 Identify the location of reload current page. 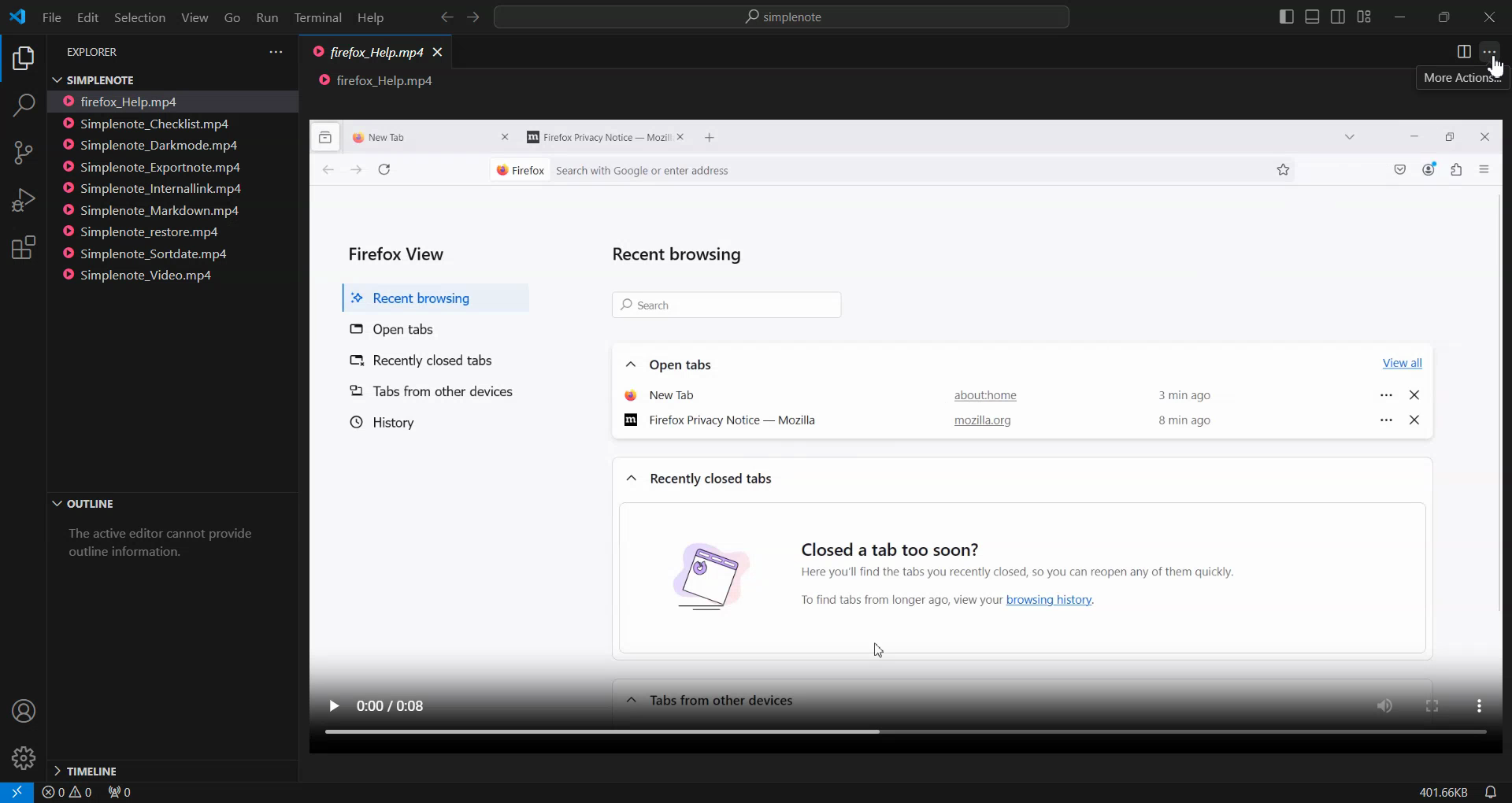
(384, 170).